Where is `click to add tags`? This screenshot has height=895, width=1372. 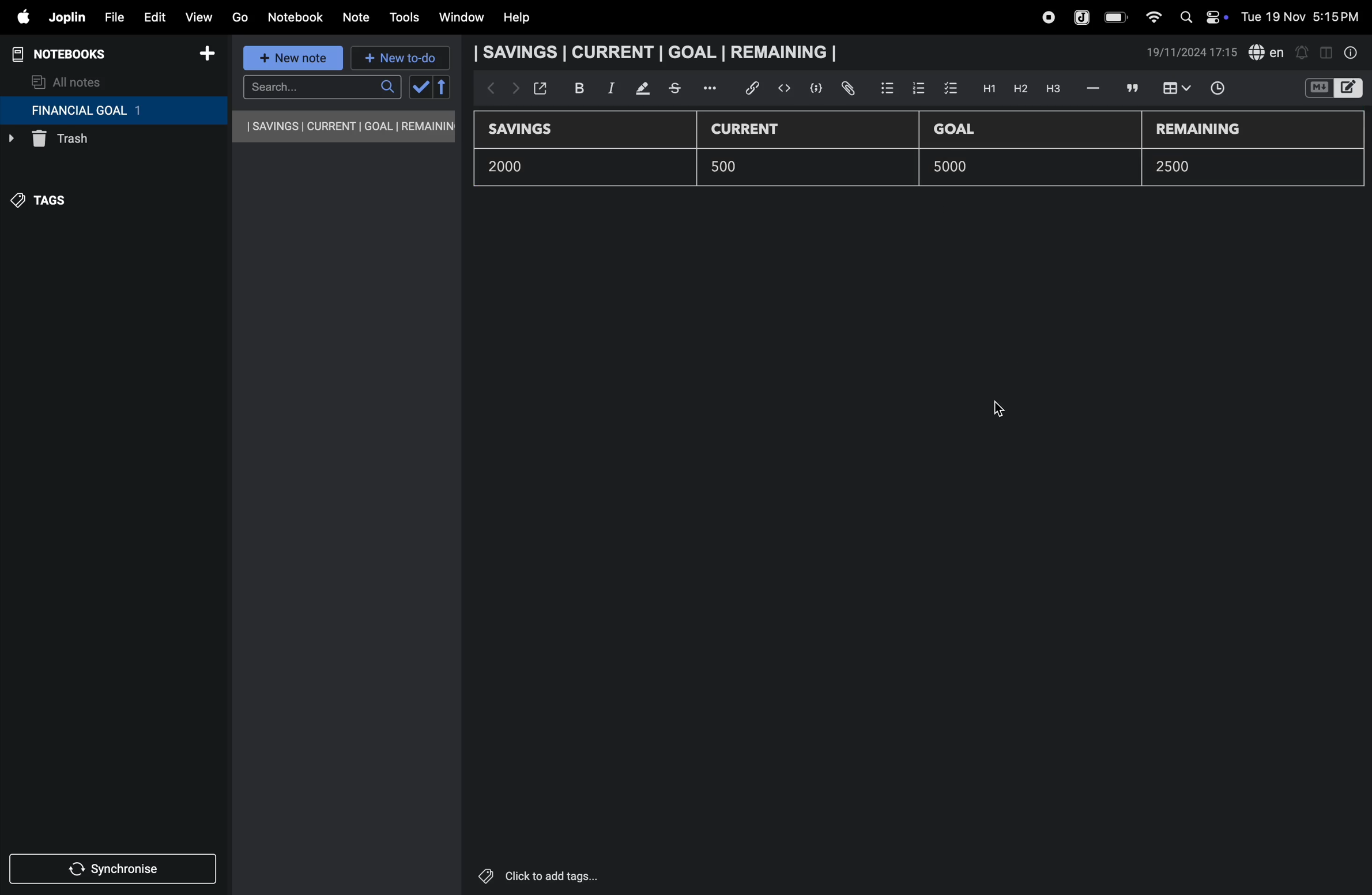 click to add tags is located at coordinates (567, 875).